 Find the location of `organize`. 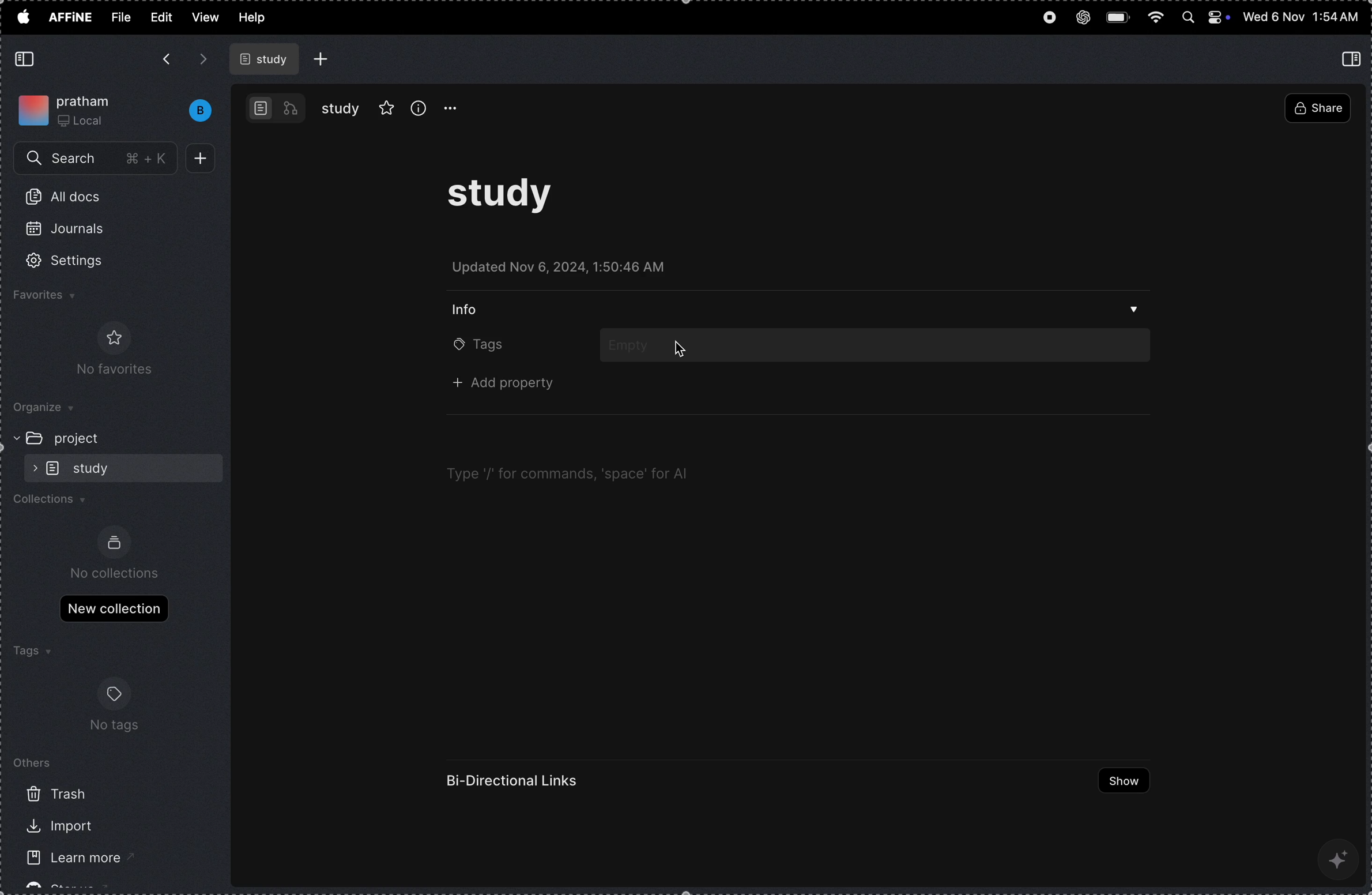

organize is located at coordinates (52, 409).